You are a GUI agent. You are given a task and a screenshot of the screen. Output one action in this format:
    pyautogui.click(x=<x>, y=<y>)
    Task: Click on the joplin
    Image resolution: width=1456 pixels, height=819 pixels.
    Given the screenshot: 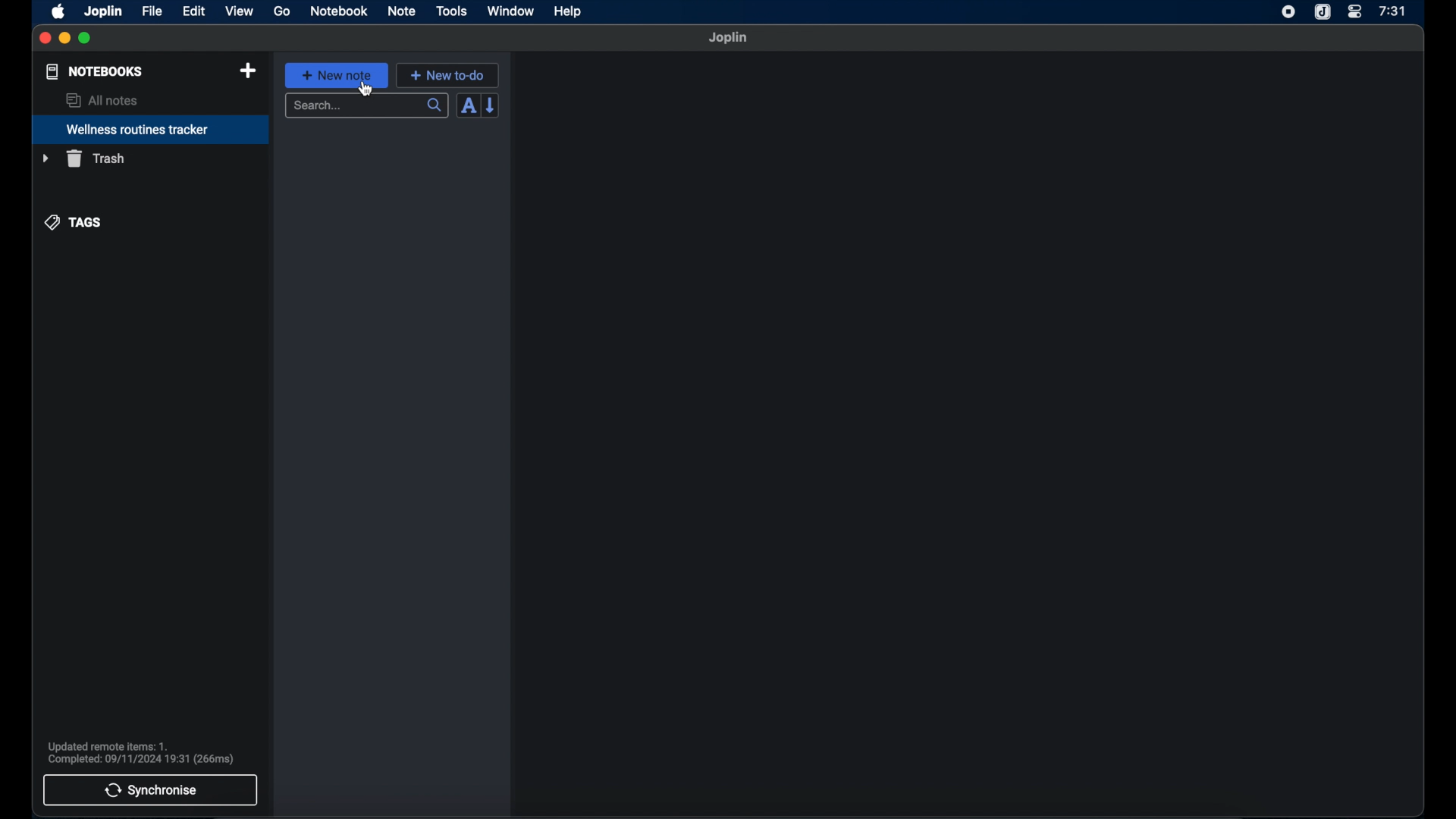 What is the action you would take?
    pyautogui.click(x=104, y=12)
    